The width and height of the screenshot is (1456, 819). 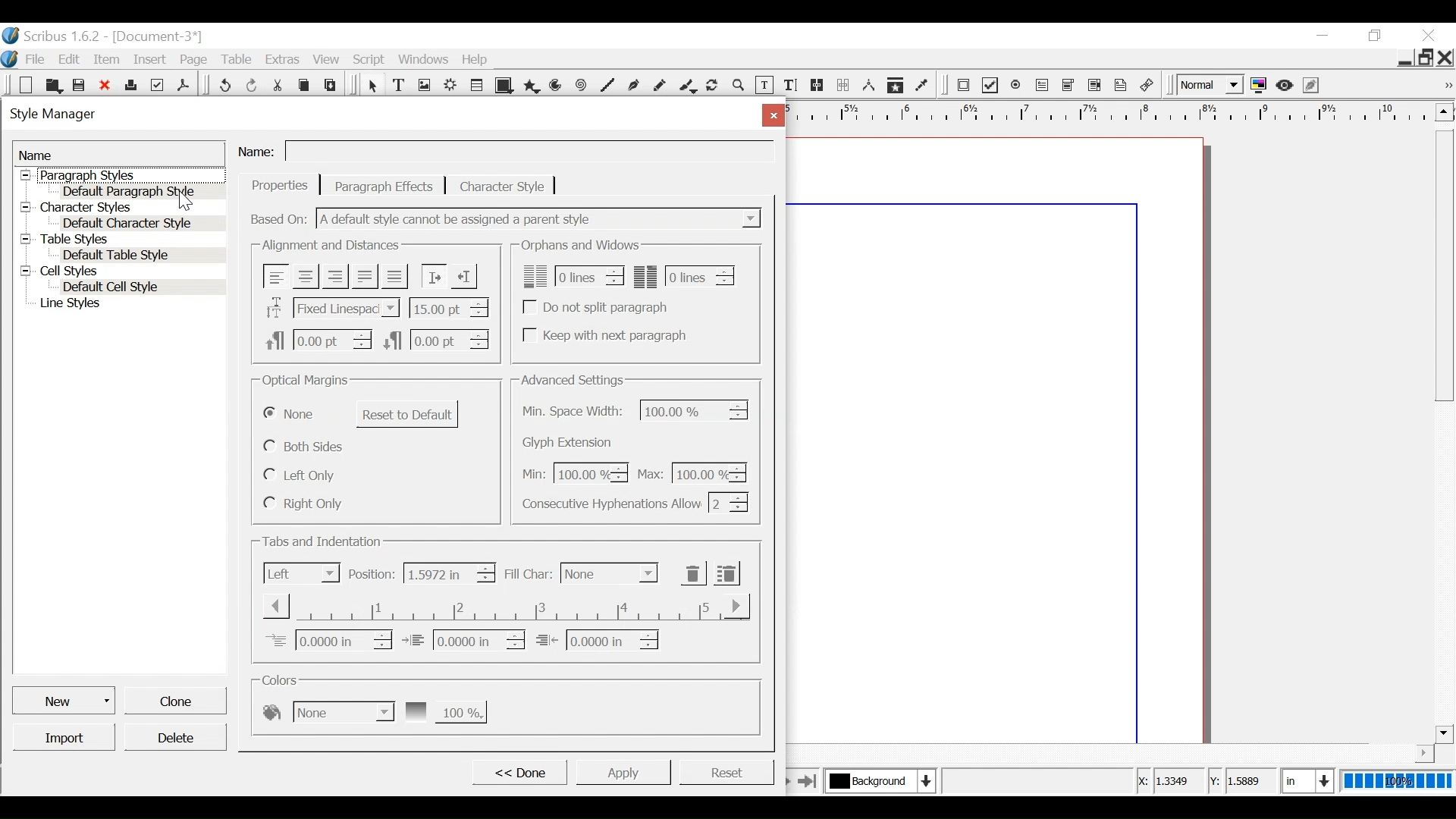 What do you see at coordinates (10, 58) in the screenshot?
I see `Logo` at bounding box center [10, 58].